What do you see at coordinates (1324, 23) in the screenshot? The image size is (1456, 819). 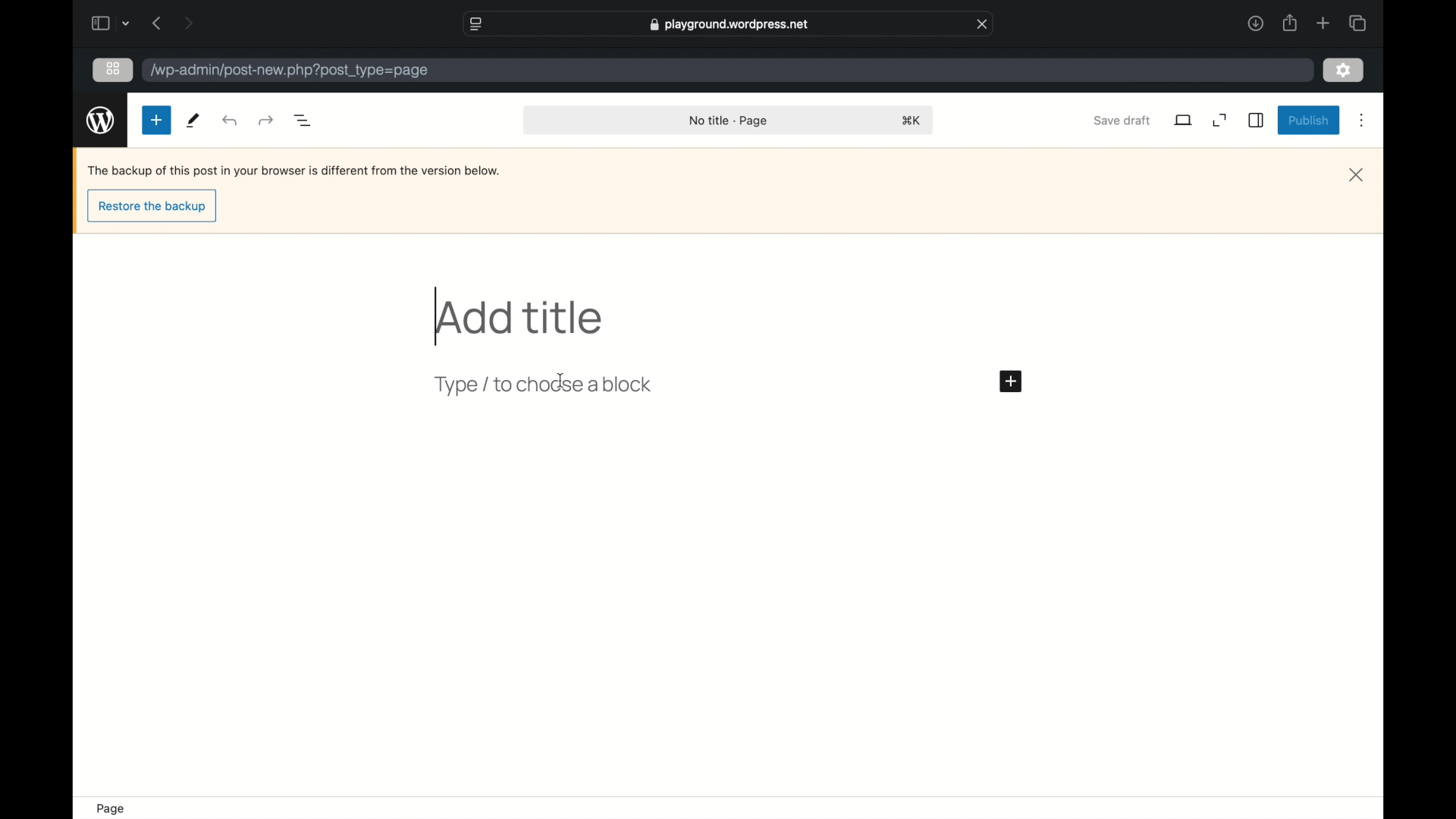 I see `new tab` at bounding box center [1324, 23].